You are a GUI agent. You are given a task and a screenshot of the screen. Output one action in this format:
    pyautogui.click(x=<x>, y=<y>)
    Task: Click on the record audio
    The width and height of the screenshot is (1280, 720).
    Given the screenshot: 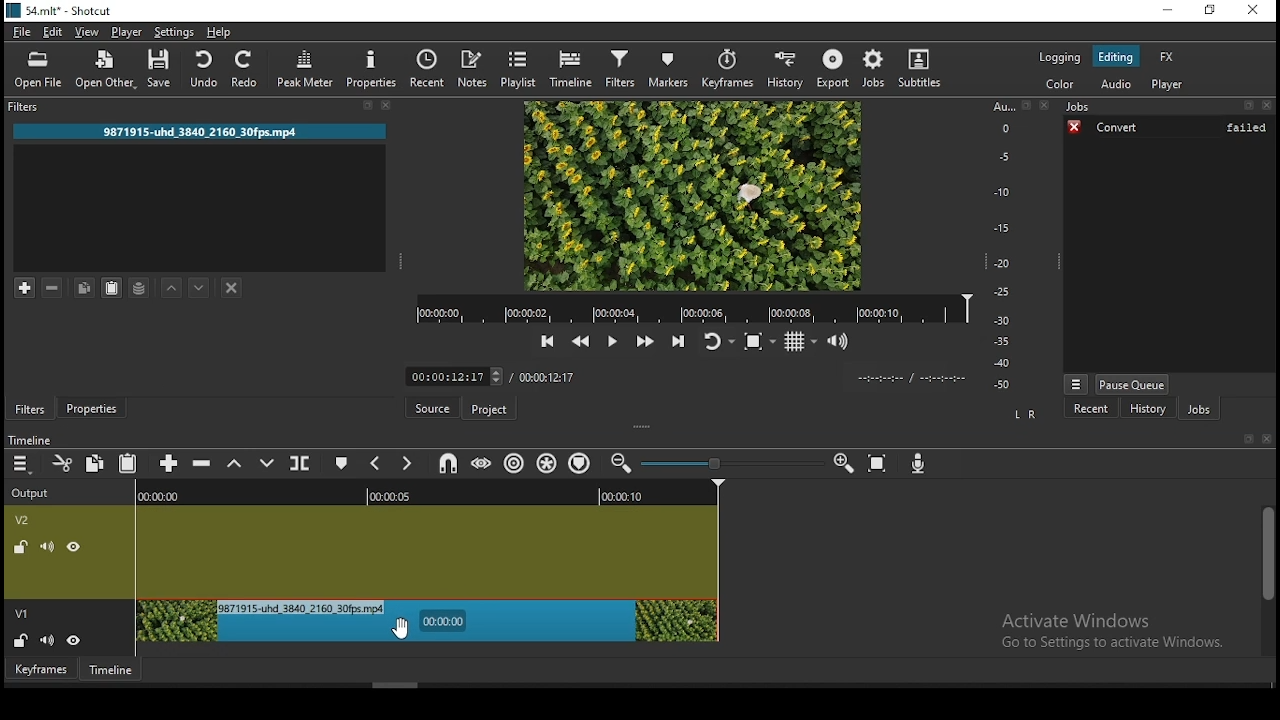 What is the action you would take?
    pyautogui.click(x=917, y=465)
    